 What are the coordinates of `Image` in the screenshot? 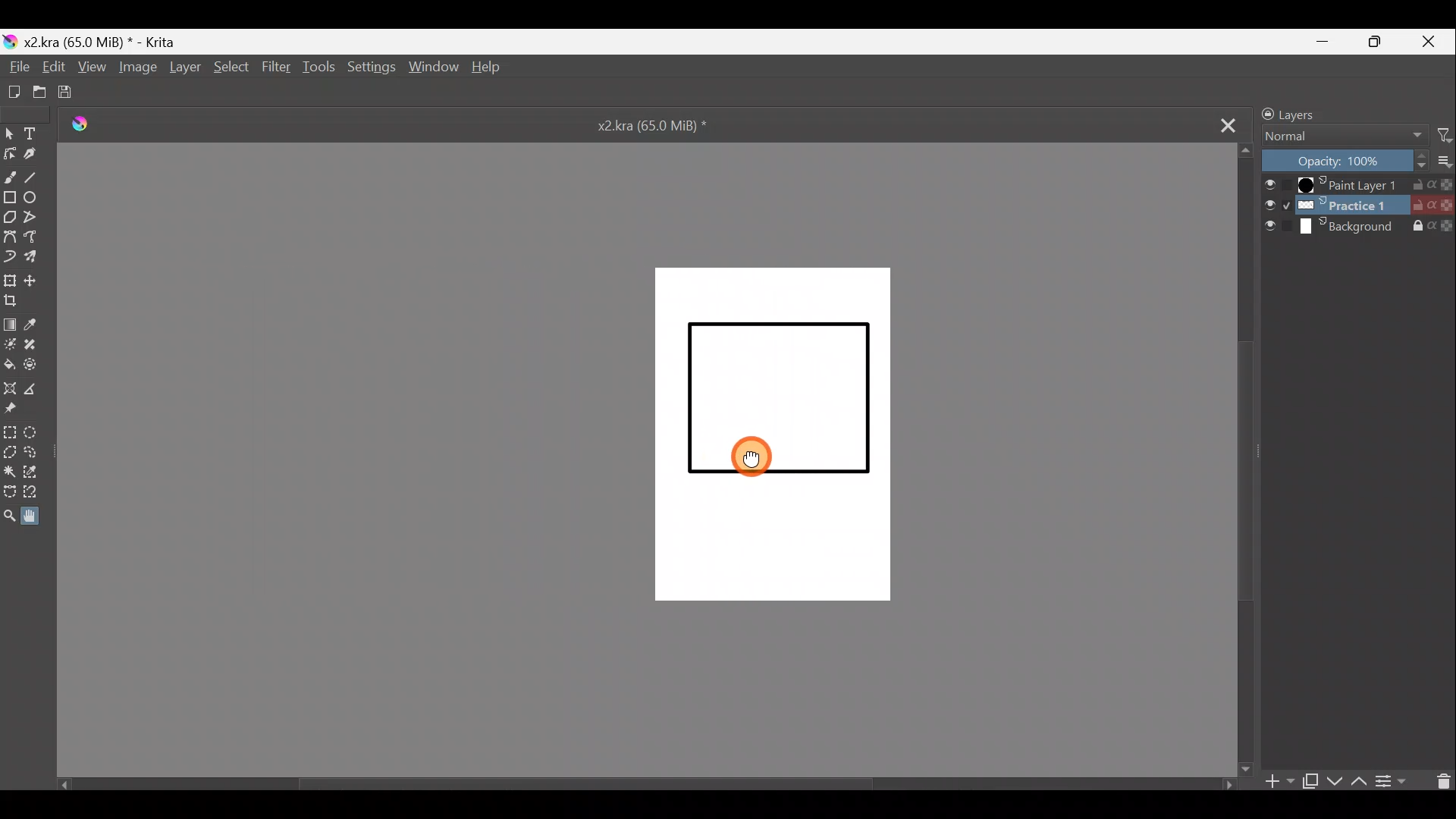 It's located at (140, 71).